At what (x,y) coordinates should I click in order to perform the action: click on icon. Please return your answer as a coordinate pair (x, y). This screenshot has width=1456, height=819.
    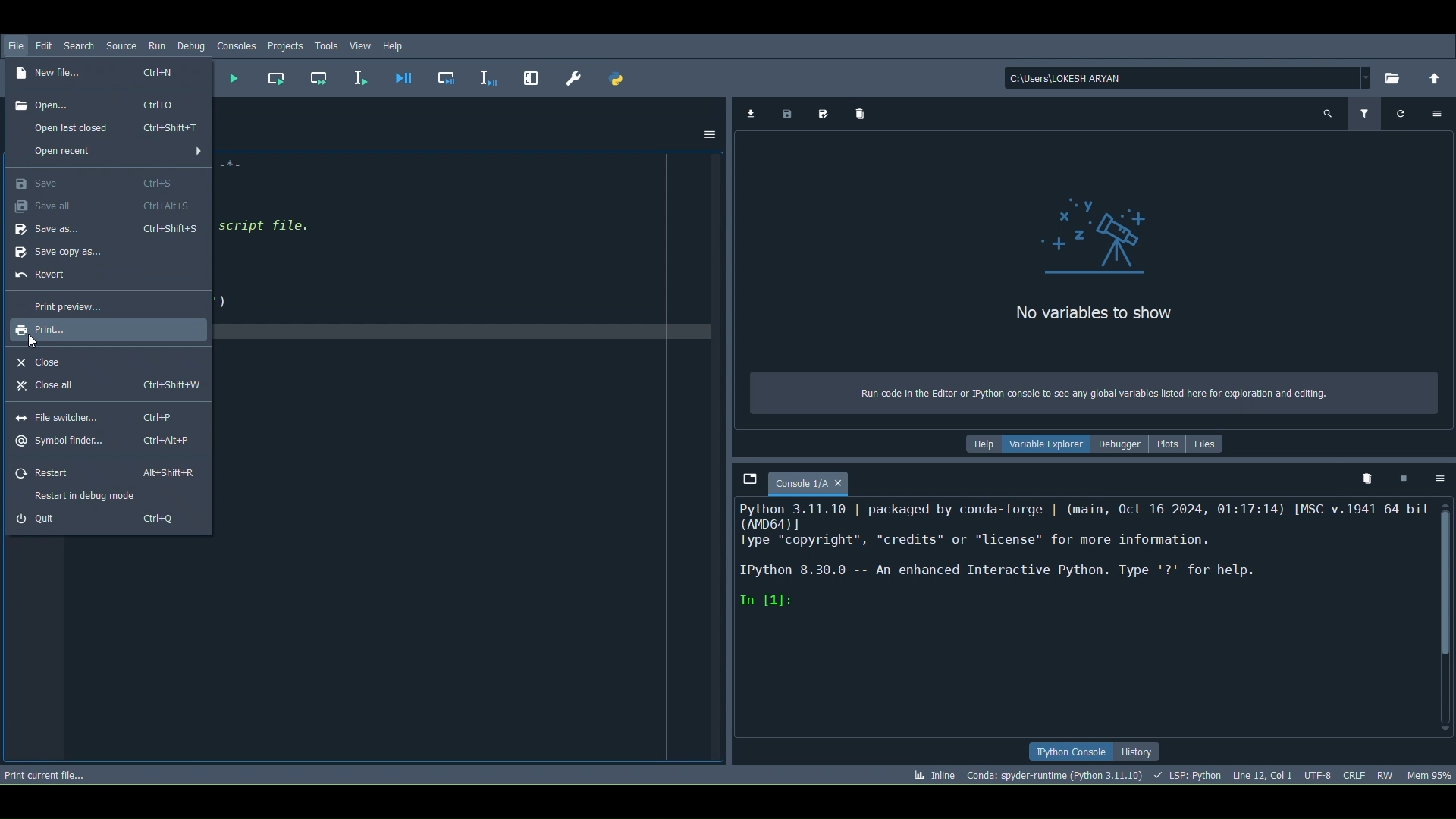
    Looking at the image, I should click on (1075, 233).